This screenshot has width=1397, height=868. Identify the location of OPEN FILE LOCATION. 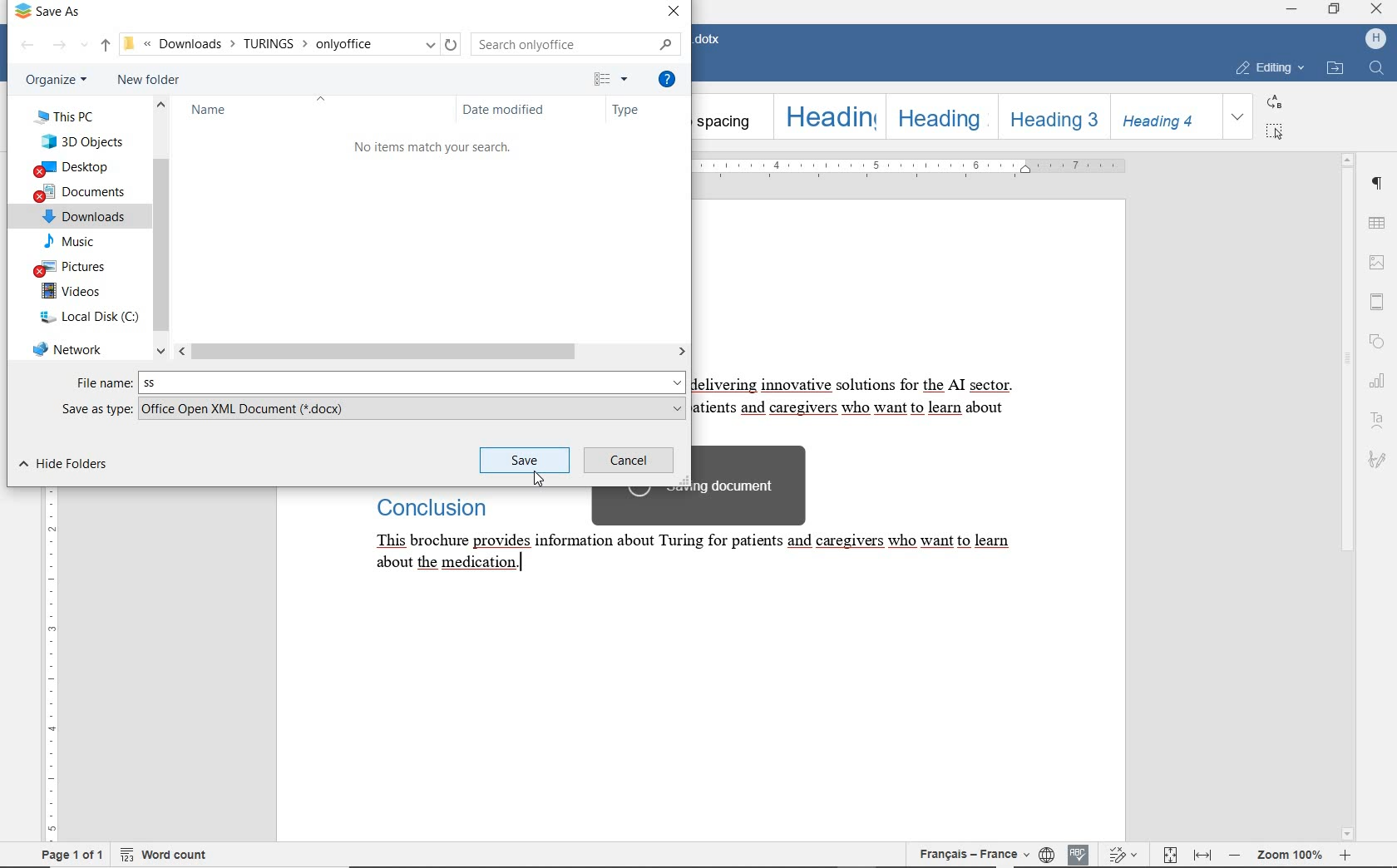
(1335, 67).